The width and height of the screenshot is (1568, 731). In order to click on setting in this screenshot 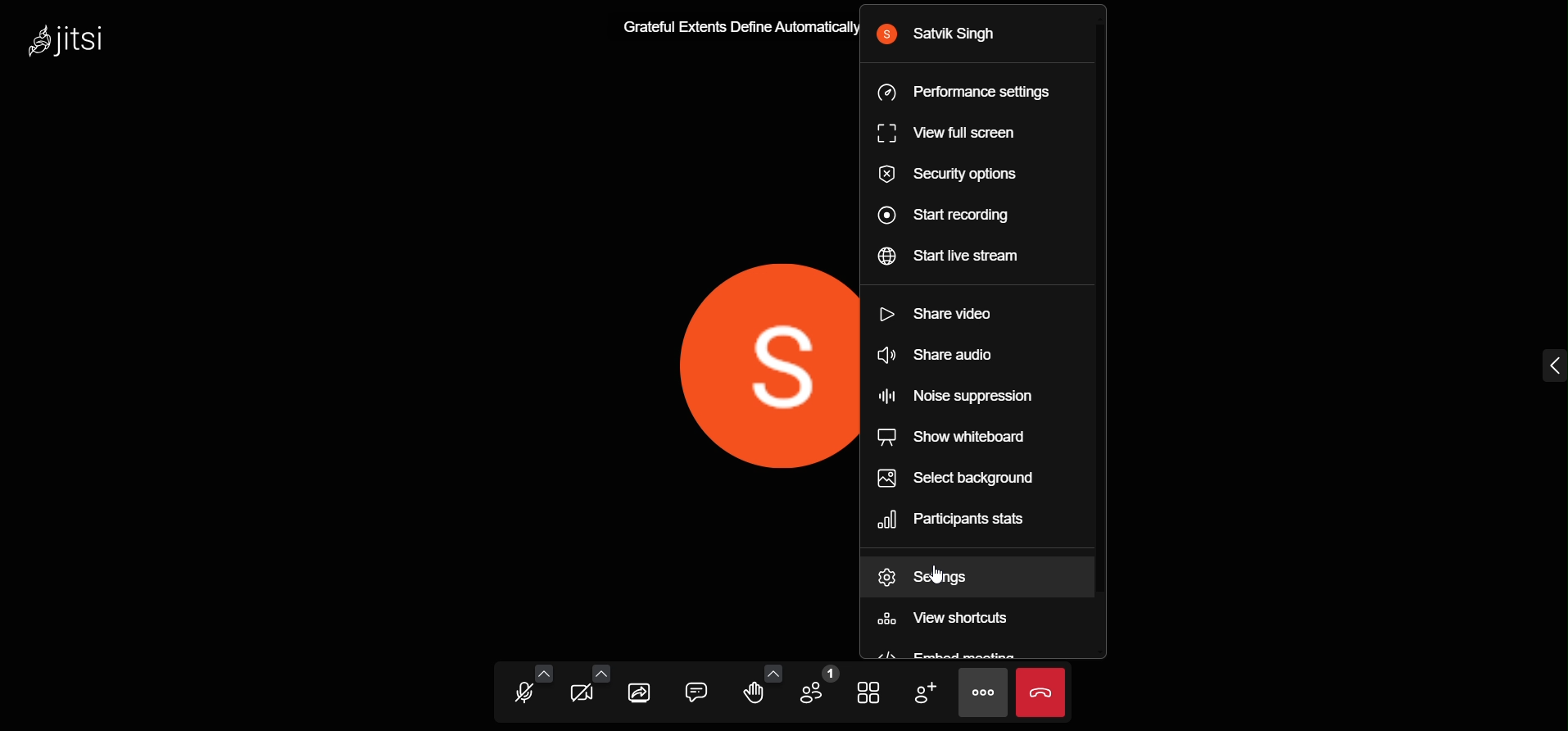, I will do `click(940, 575)`.